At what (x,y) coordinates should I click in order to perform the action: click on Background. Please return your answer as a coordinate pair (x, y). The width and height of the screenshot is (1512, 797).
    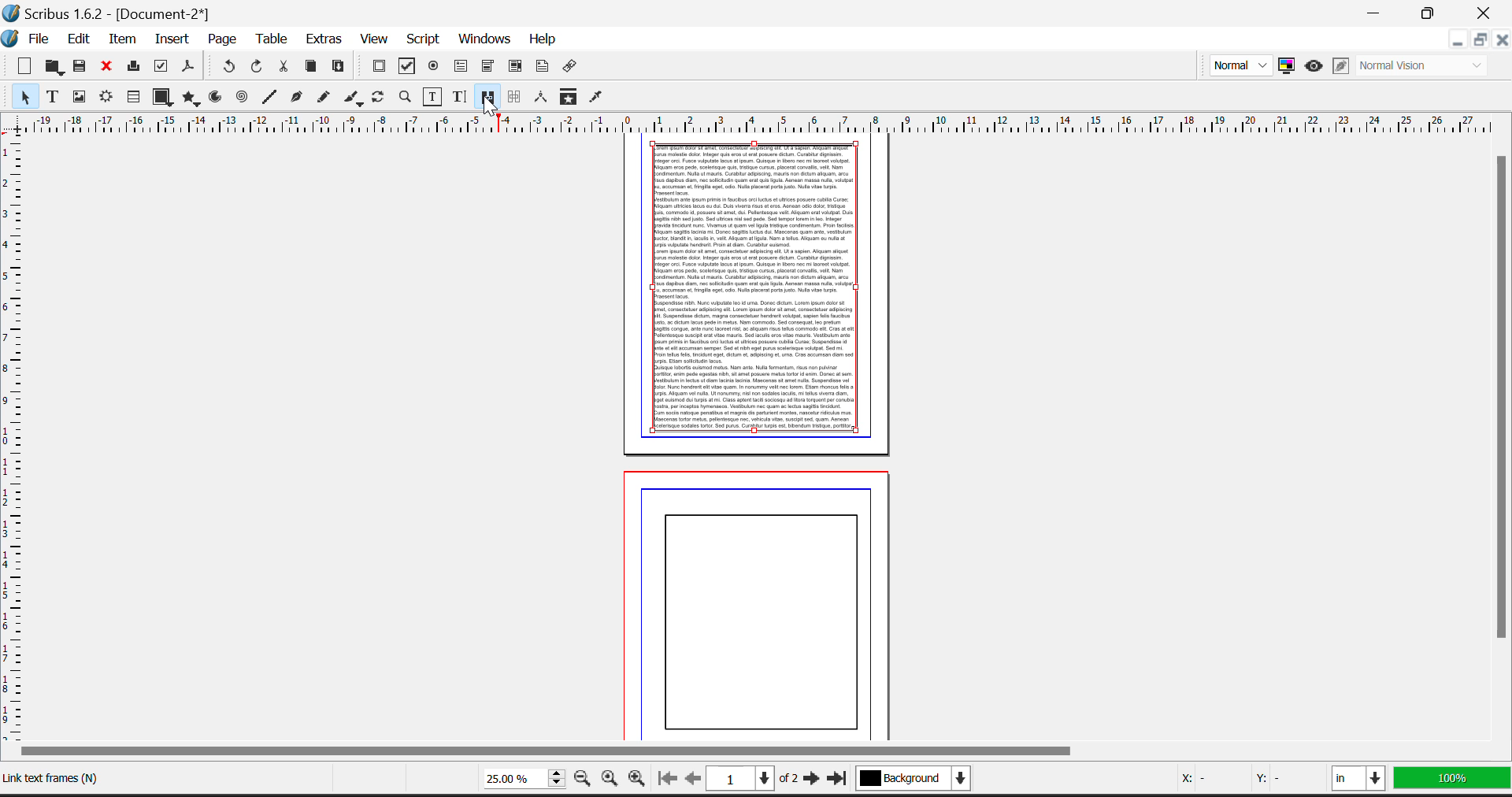
    Looking at the image, I should click on (925, 781).